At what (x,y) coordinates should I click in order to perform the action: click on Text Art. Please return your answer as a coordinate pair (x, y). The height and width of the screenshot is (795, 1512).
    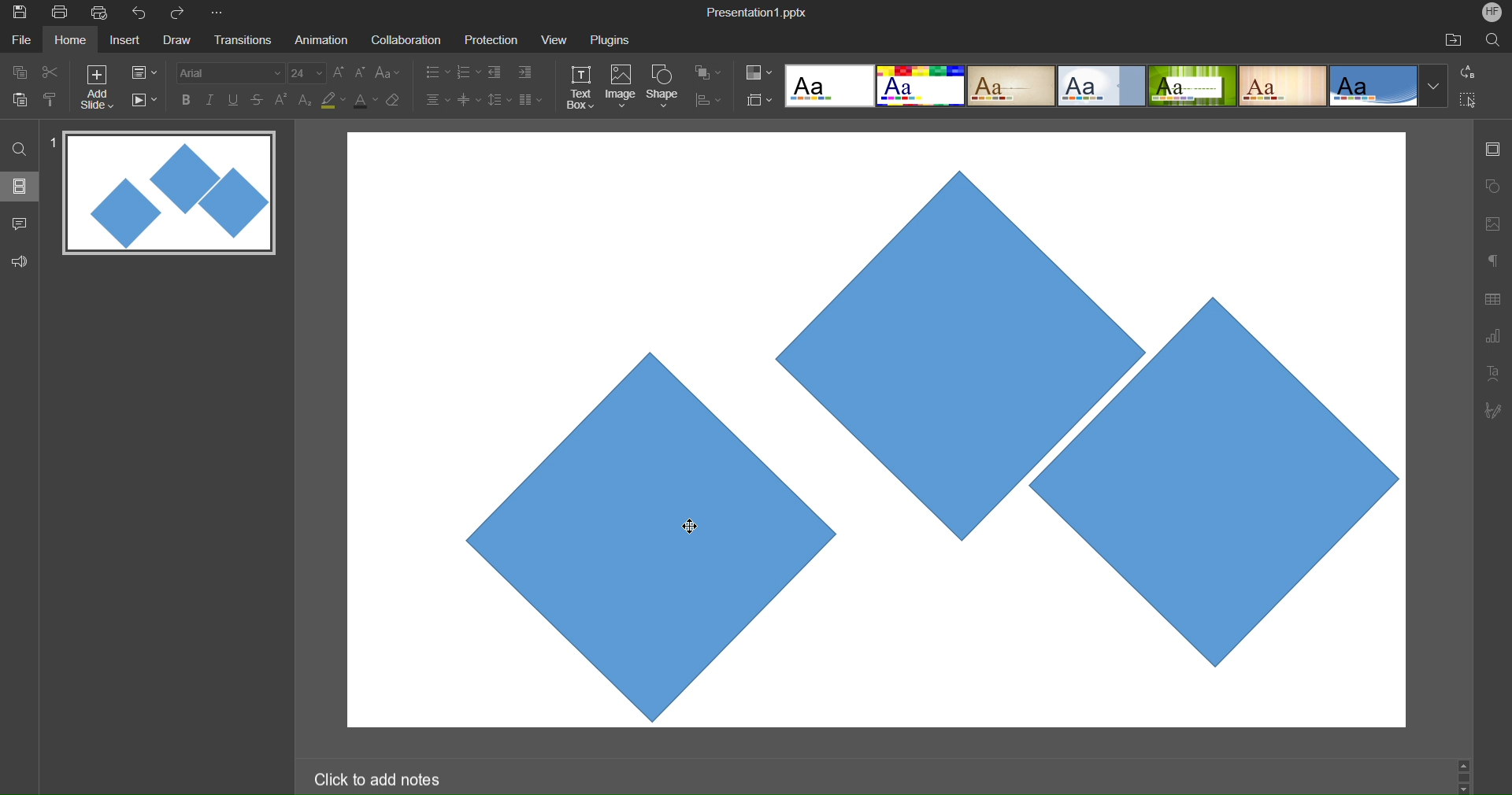
    Looking at the image, I should click on (1493, 372).